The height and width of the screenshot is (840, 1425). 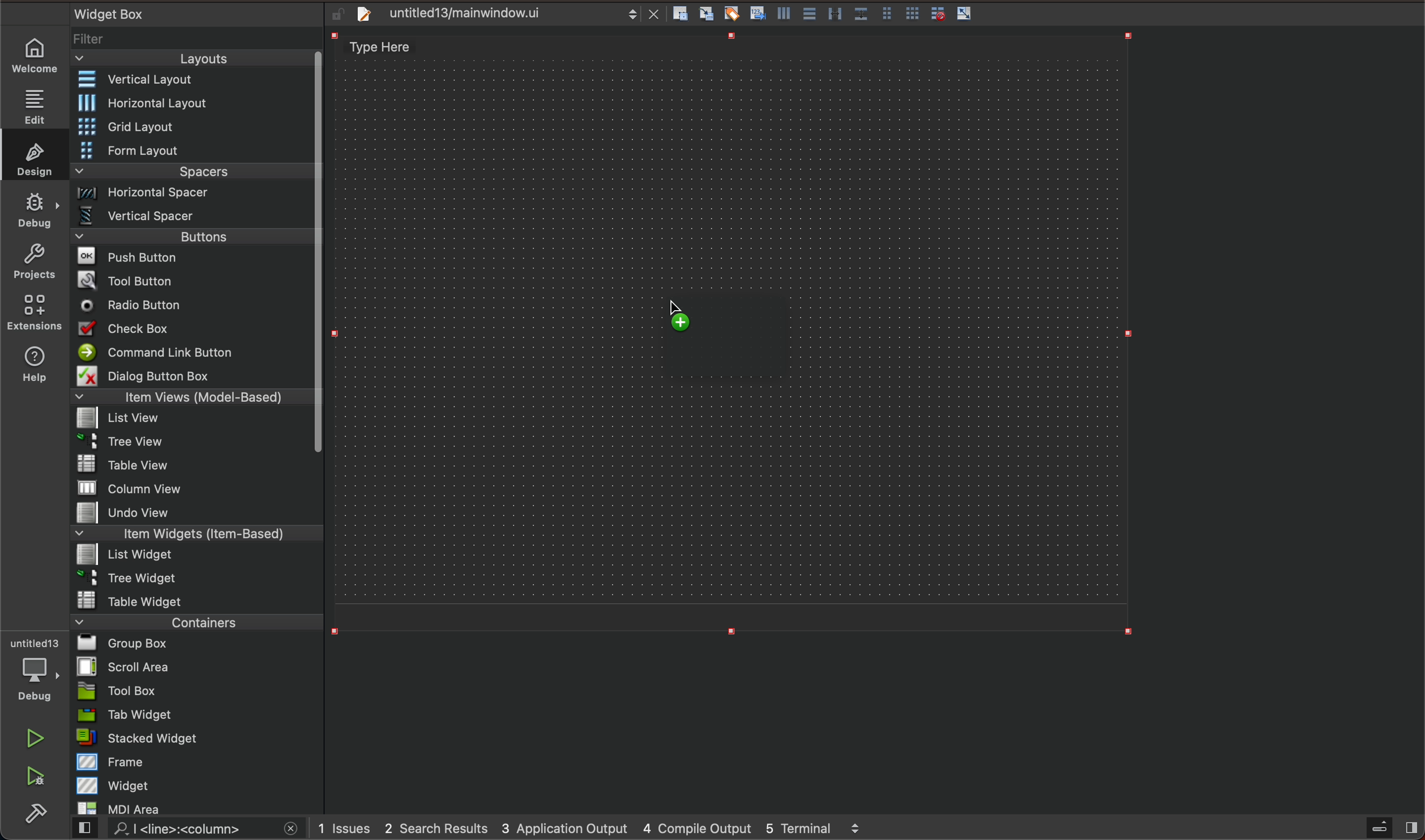 What do you see at coordinates (503, 16) in the screenshot?
I see `file tab` at bounding box center [503, 16].